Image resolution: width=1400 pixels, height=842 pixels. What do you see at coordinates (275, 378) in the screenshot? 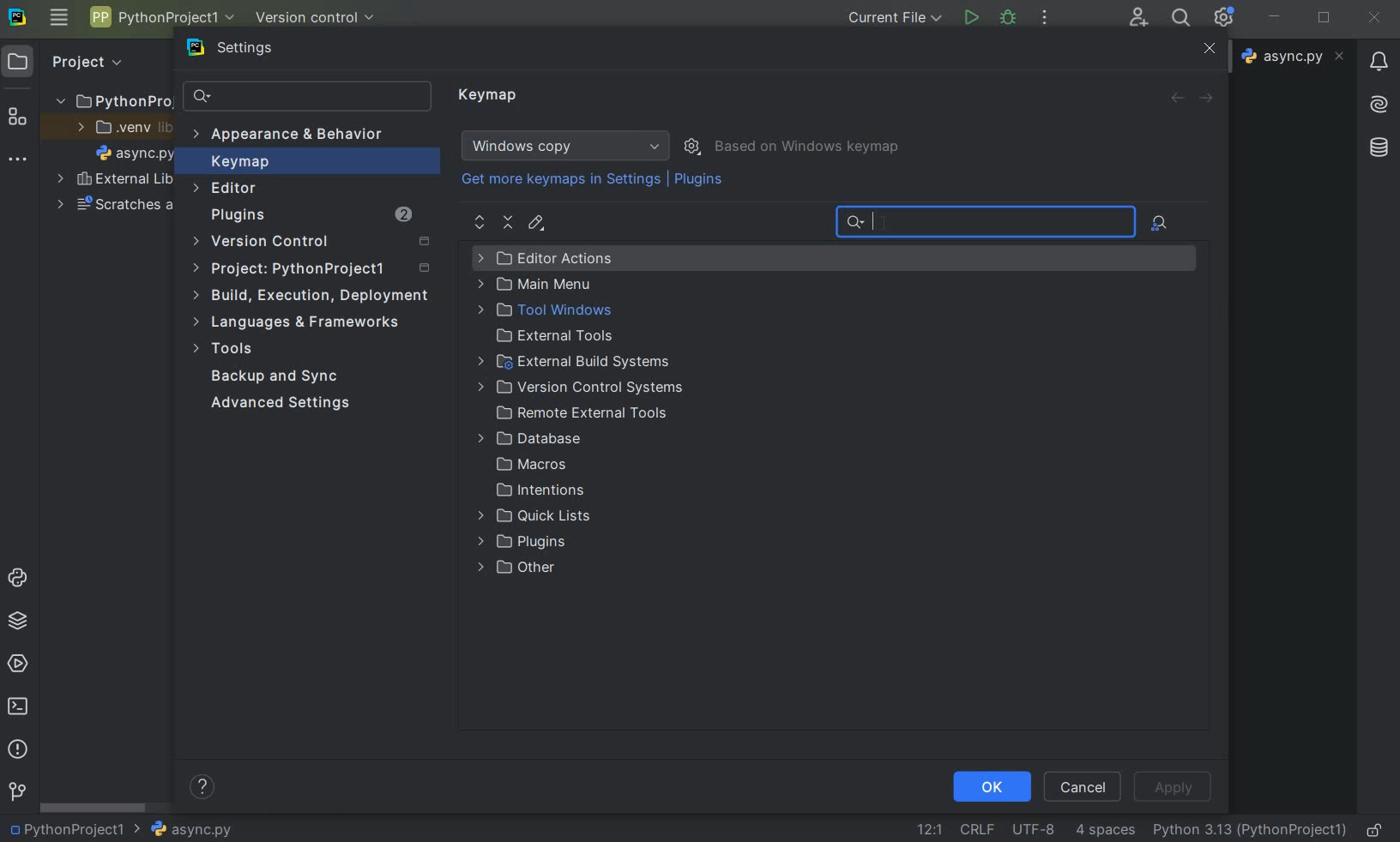
I see `backup and sync` at bounding box center [275, 378].